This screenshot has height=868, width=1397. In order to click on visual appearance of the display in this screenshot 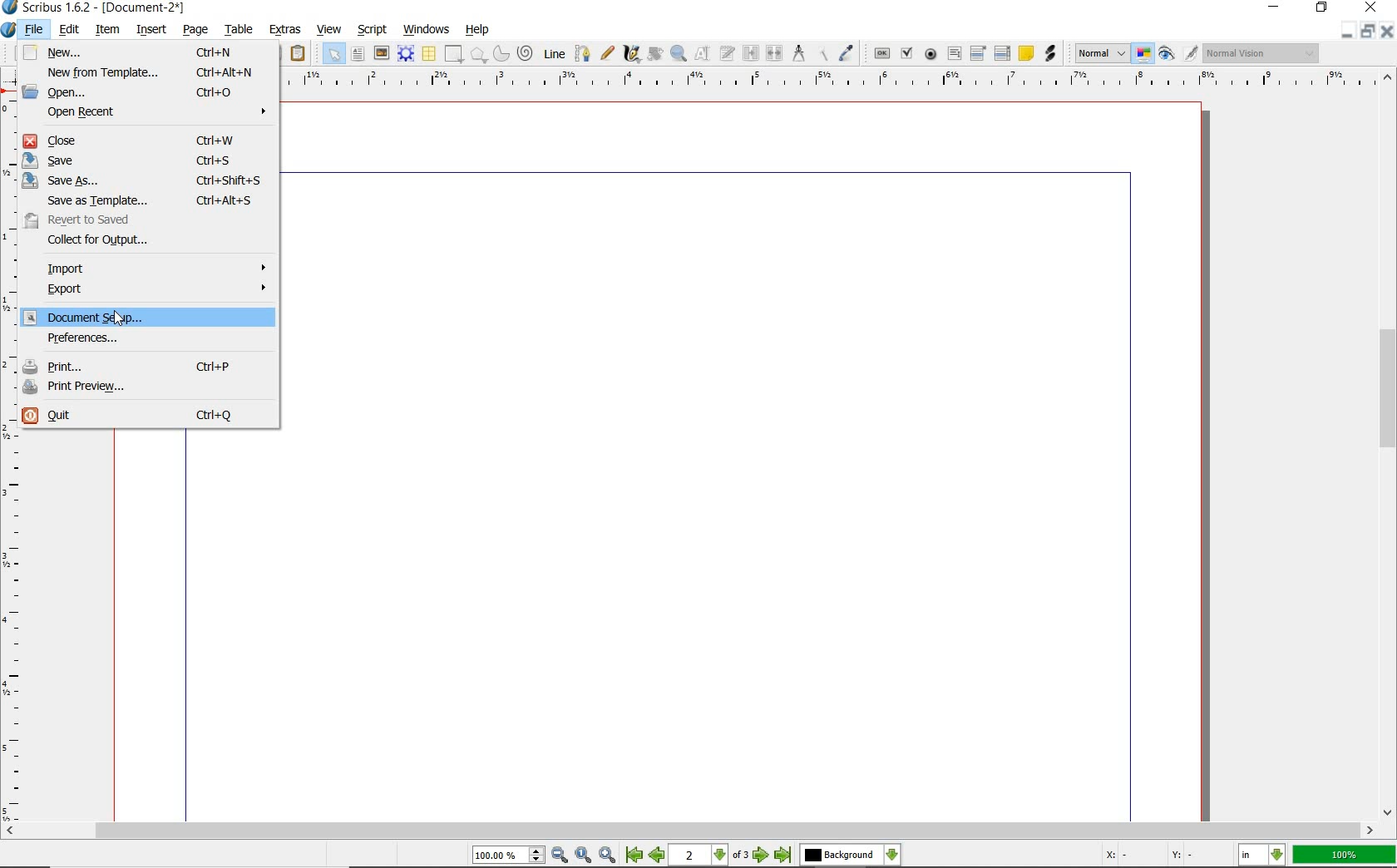, I will do `click(1263, 53)`.